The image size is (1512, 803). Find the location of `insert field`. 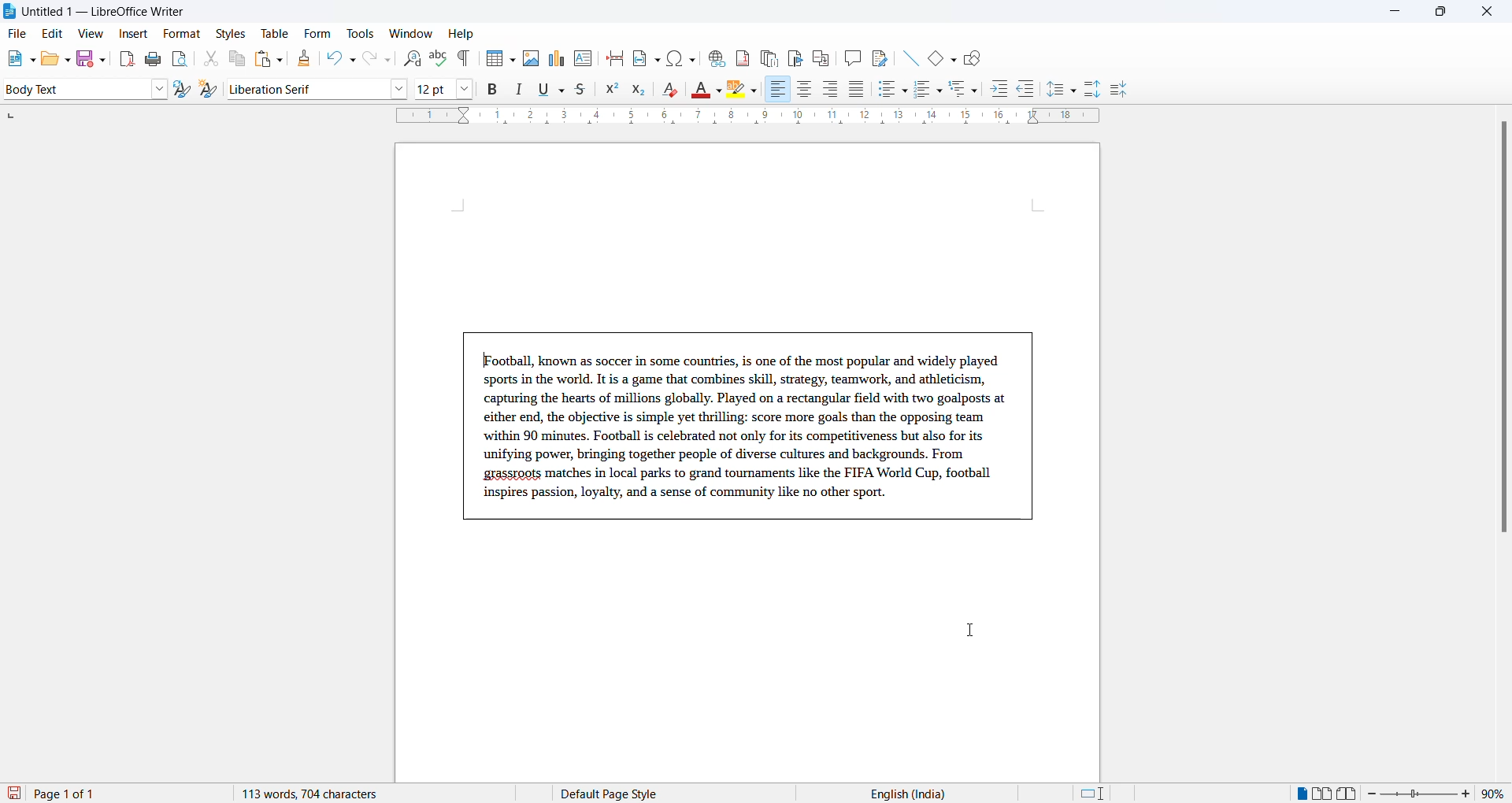

insert field is located at coordinates (645, 56).